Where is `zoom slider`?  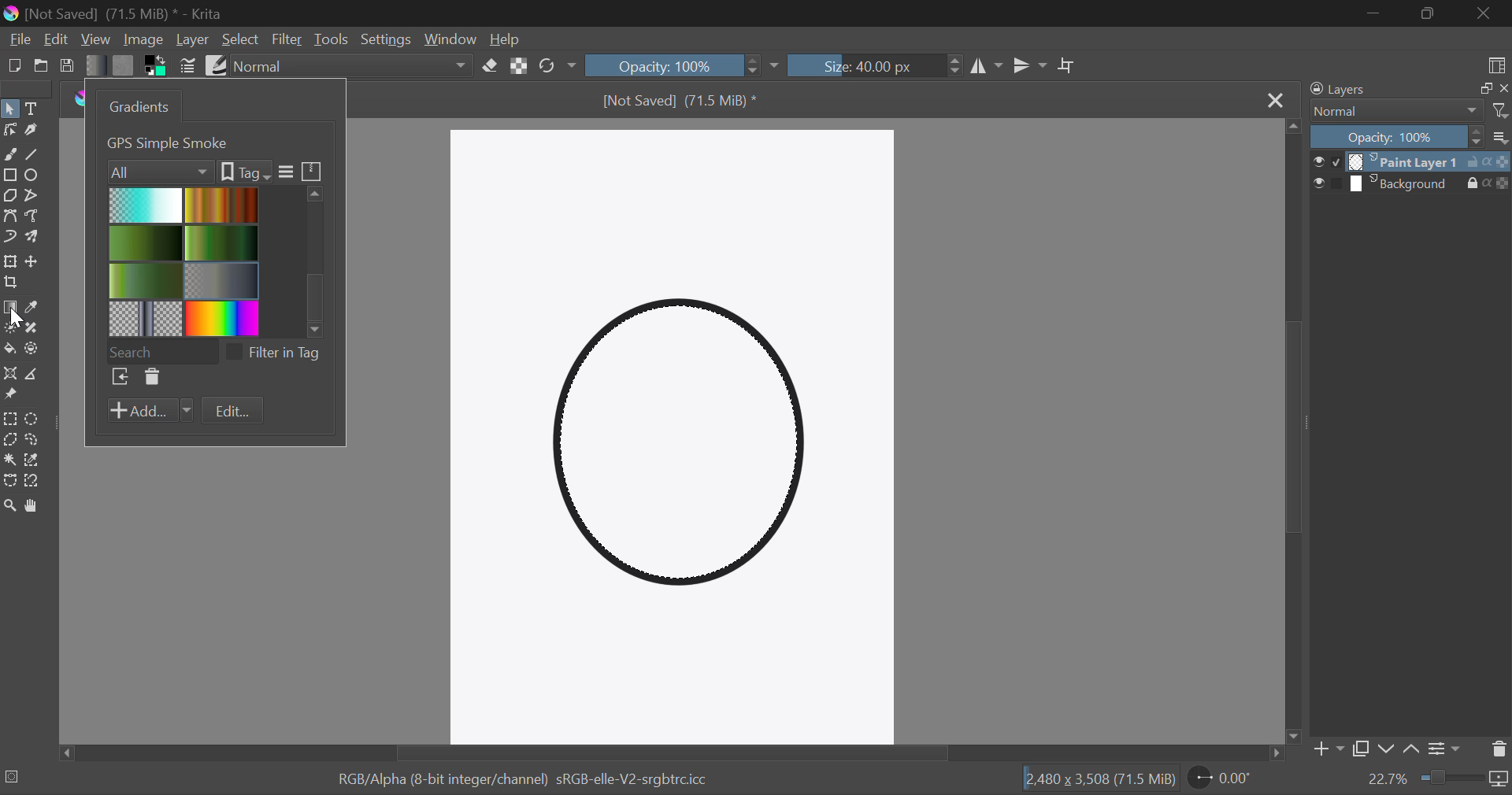
zoom slider is located at coordinates (1453, 776).